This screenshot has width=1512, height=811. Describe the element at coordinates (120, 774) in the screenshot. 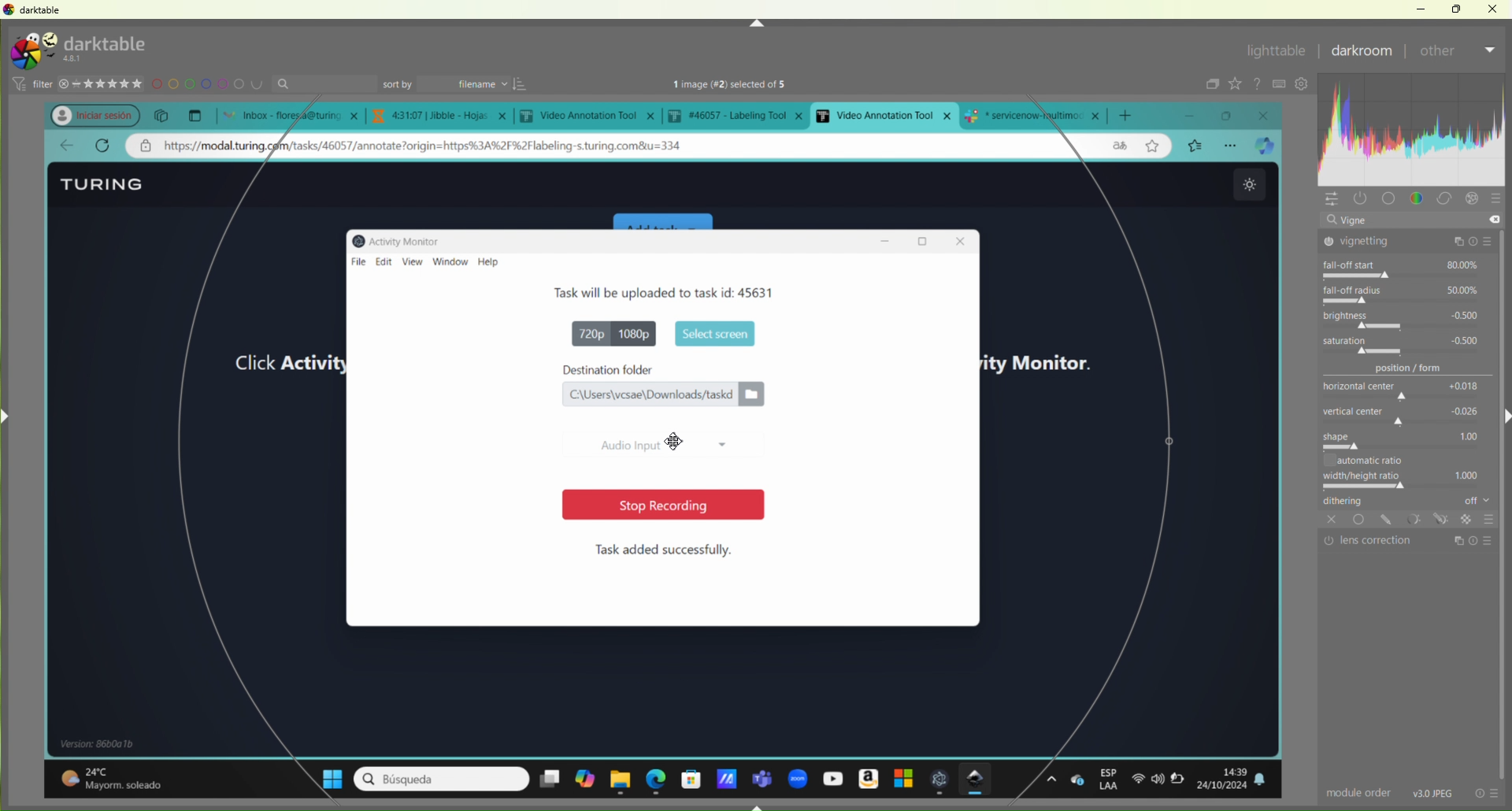

I see `temperature details` at that location.